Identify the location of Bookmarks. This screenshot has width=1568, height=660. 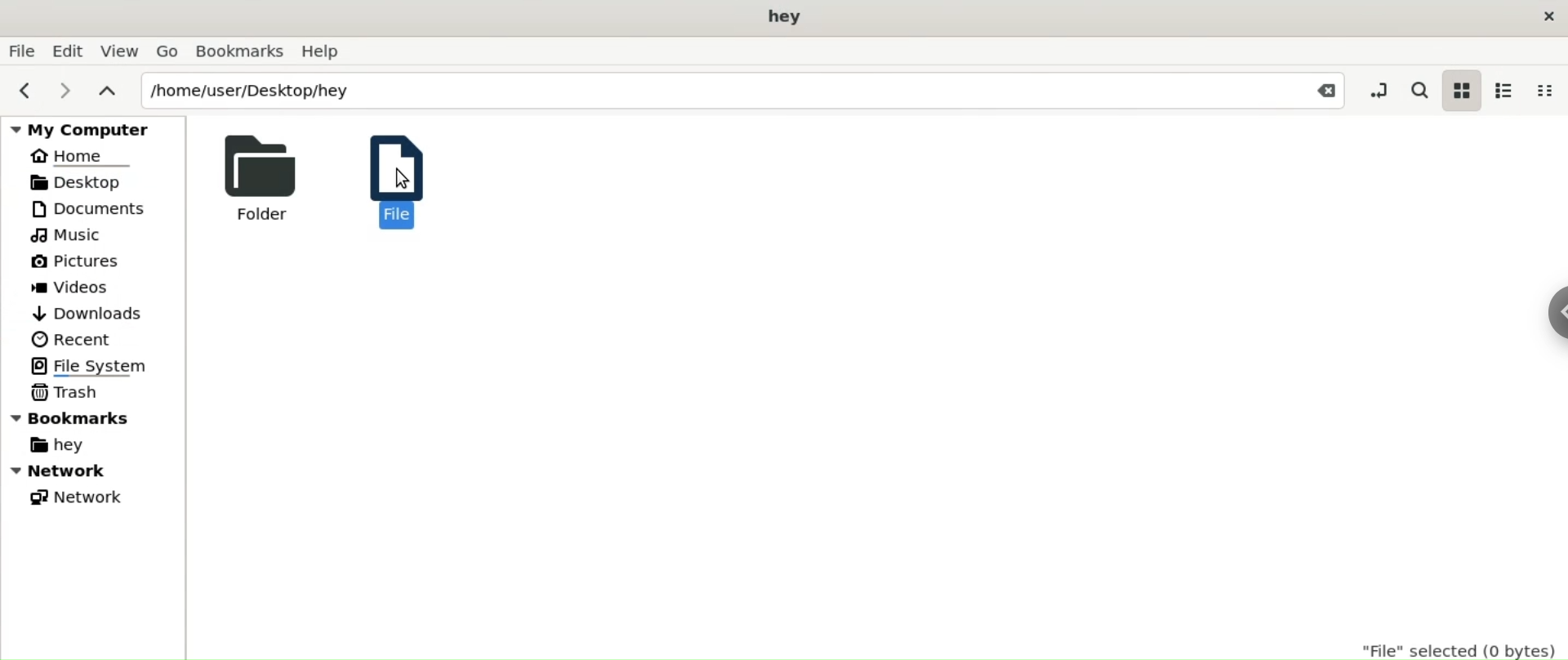
(242, 53).